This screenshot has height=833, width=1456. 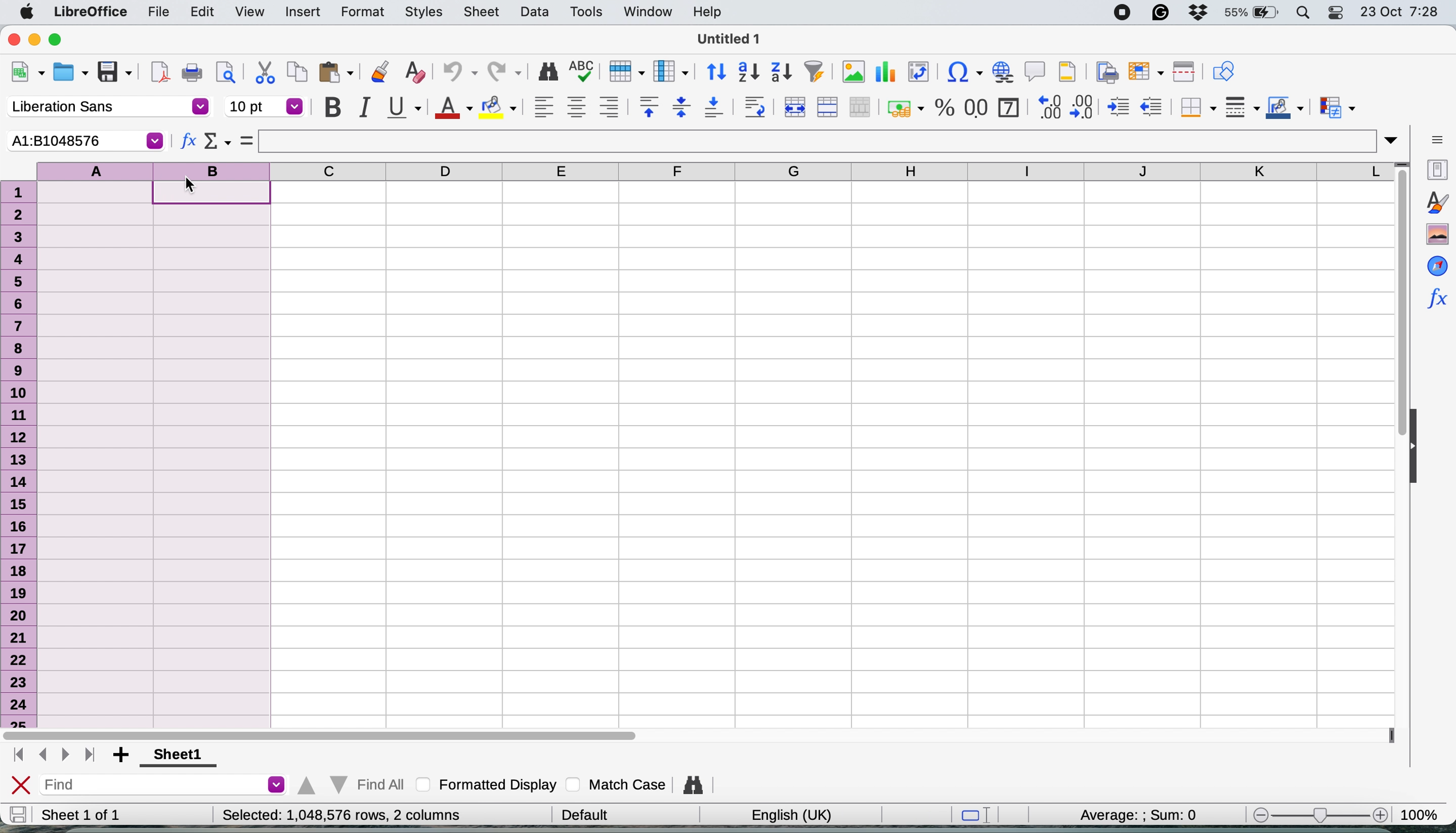 I want to click on select function, so click(x=216, y=142).